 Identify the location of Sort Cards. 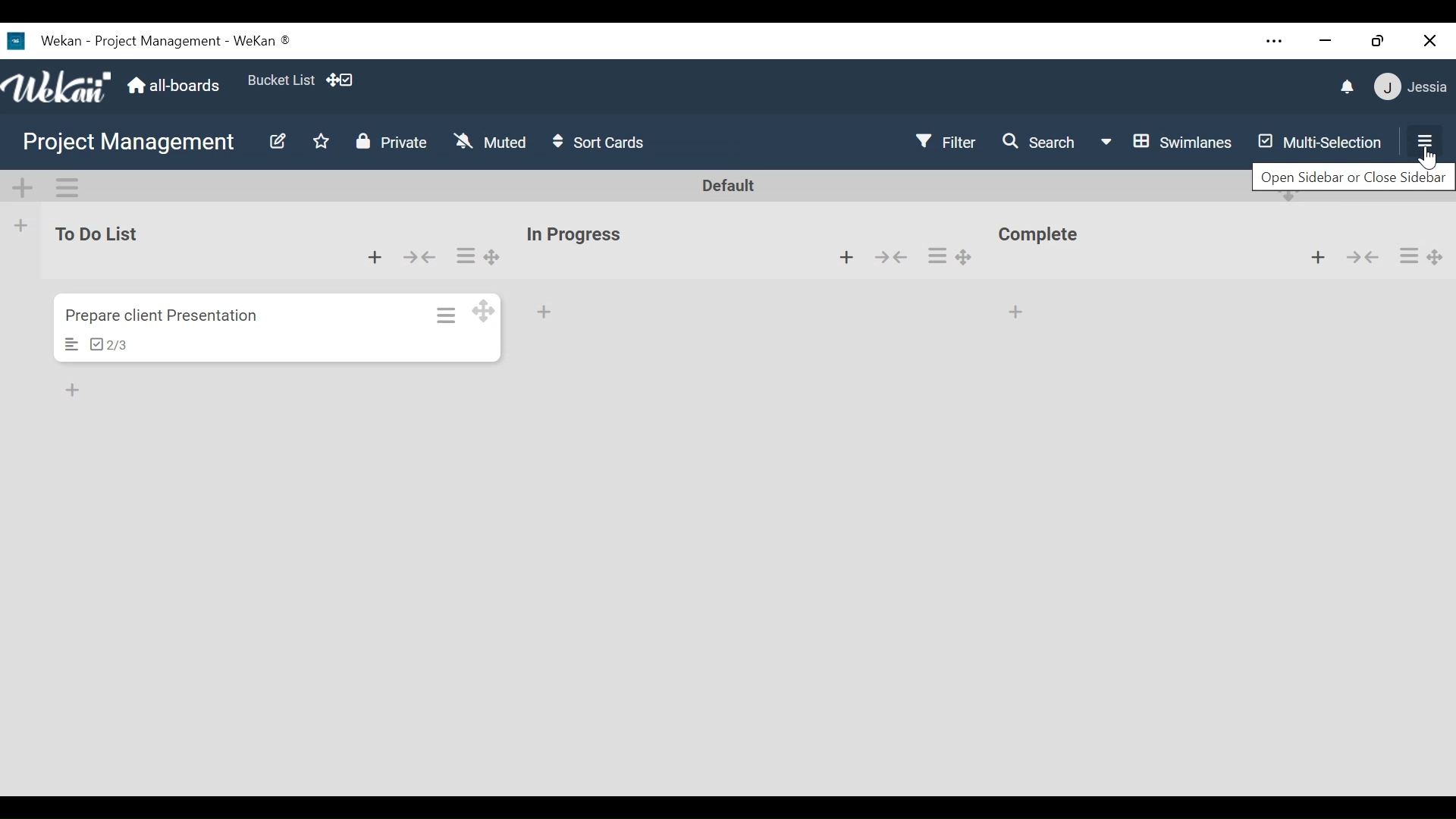
(599, 141).